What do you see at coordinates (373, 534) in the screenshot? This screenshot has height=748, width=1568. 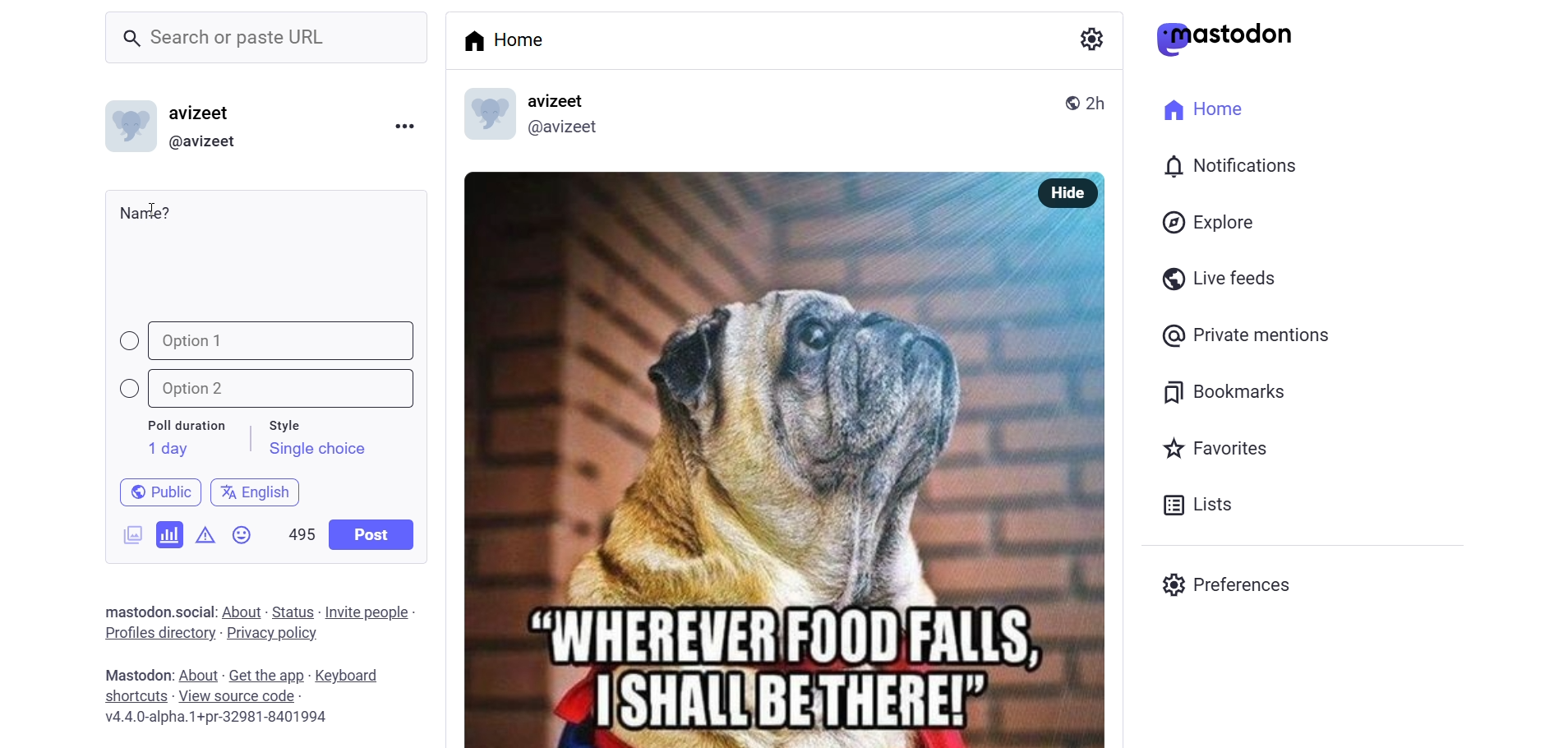 I see `post` at bounding box center [373, 534].